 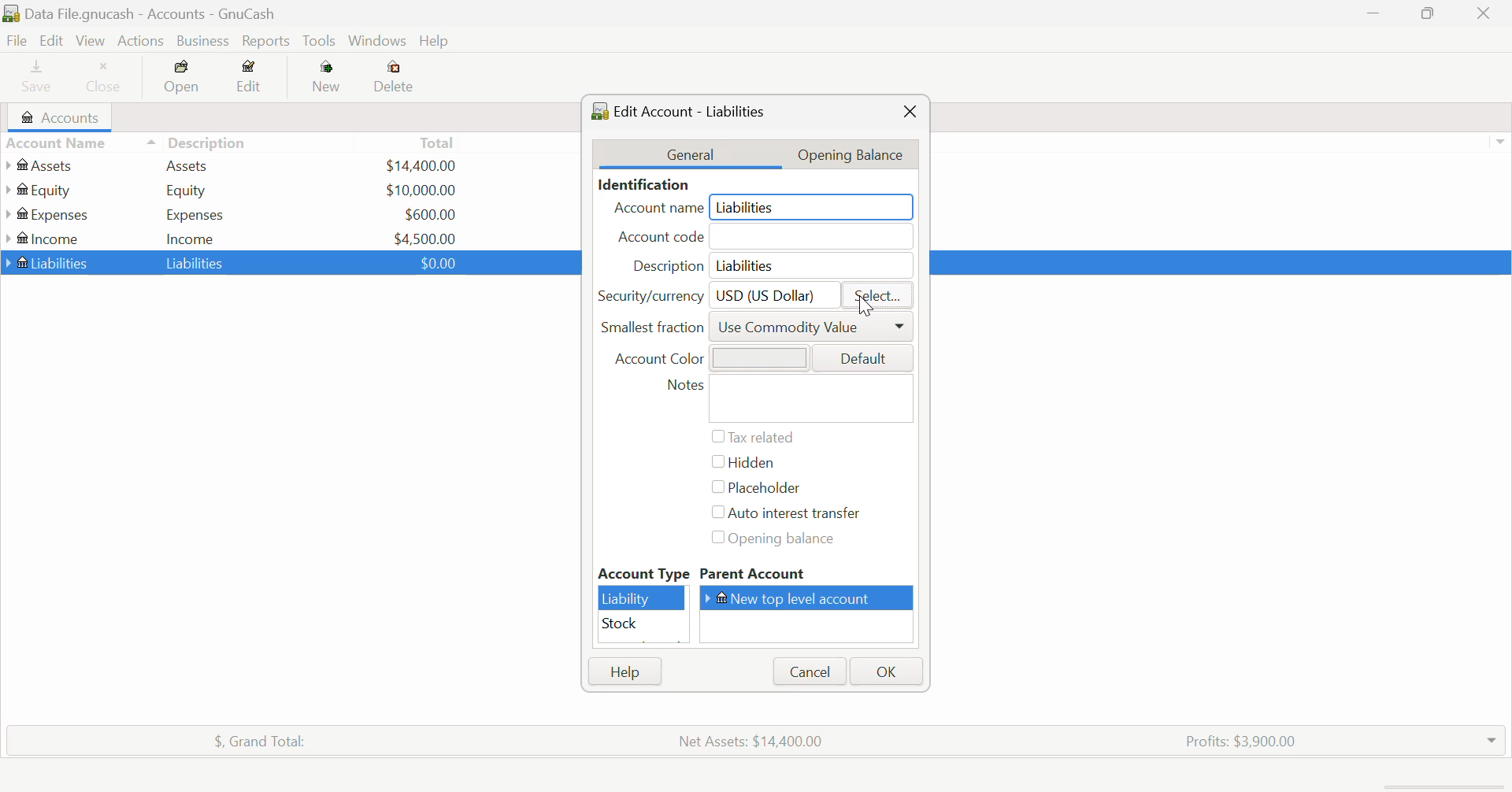 What do you see at coordinates (789, 513) in the screenshot?
I see `Auto interest transfer` at bounding box center [789, 513].